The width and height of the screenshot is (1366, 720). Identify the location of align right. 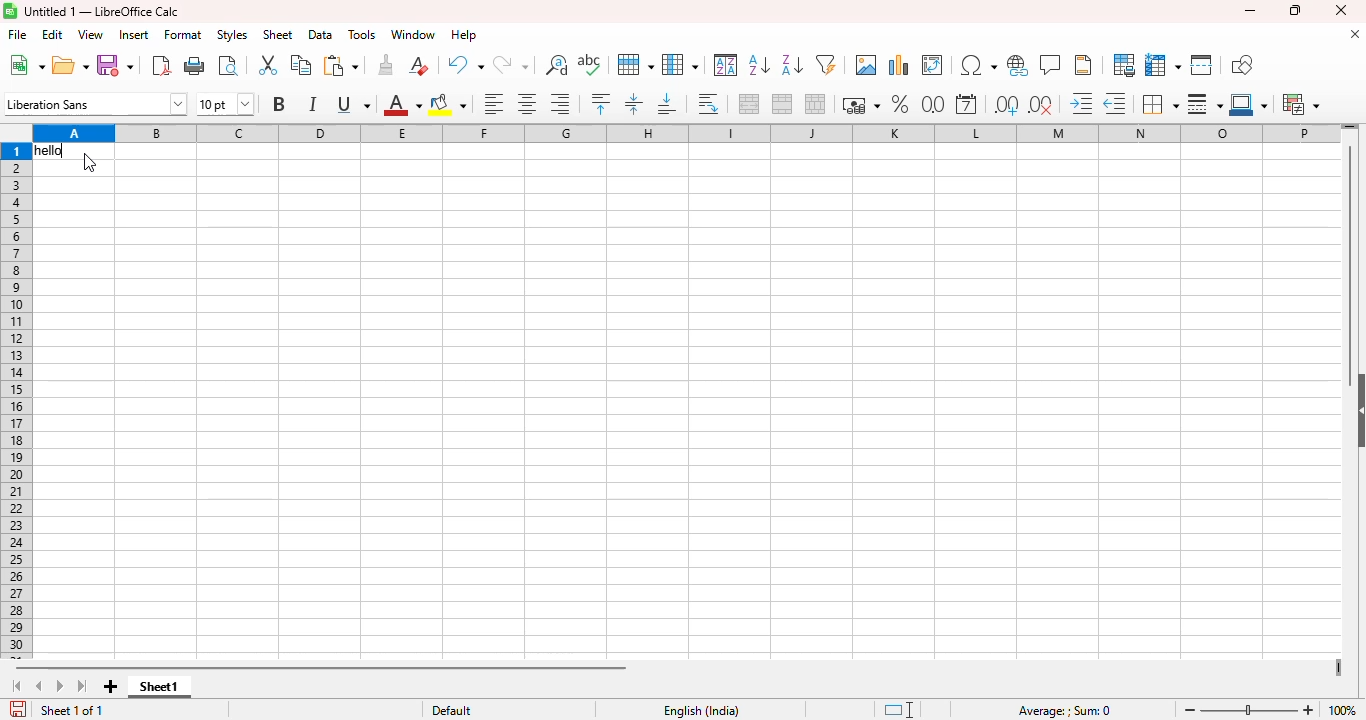
(561, 104).